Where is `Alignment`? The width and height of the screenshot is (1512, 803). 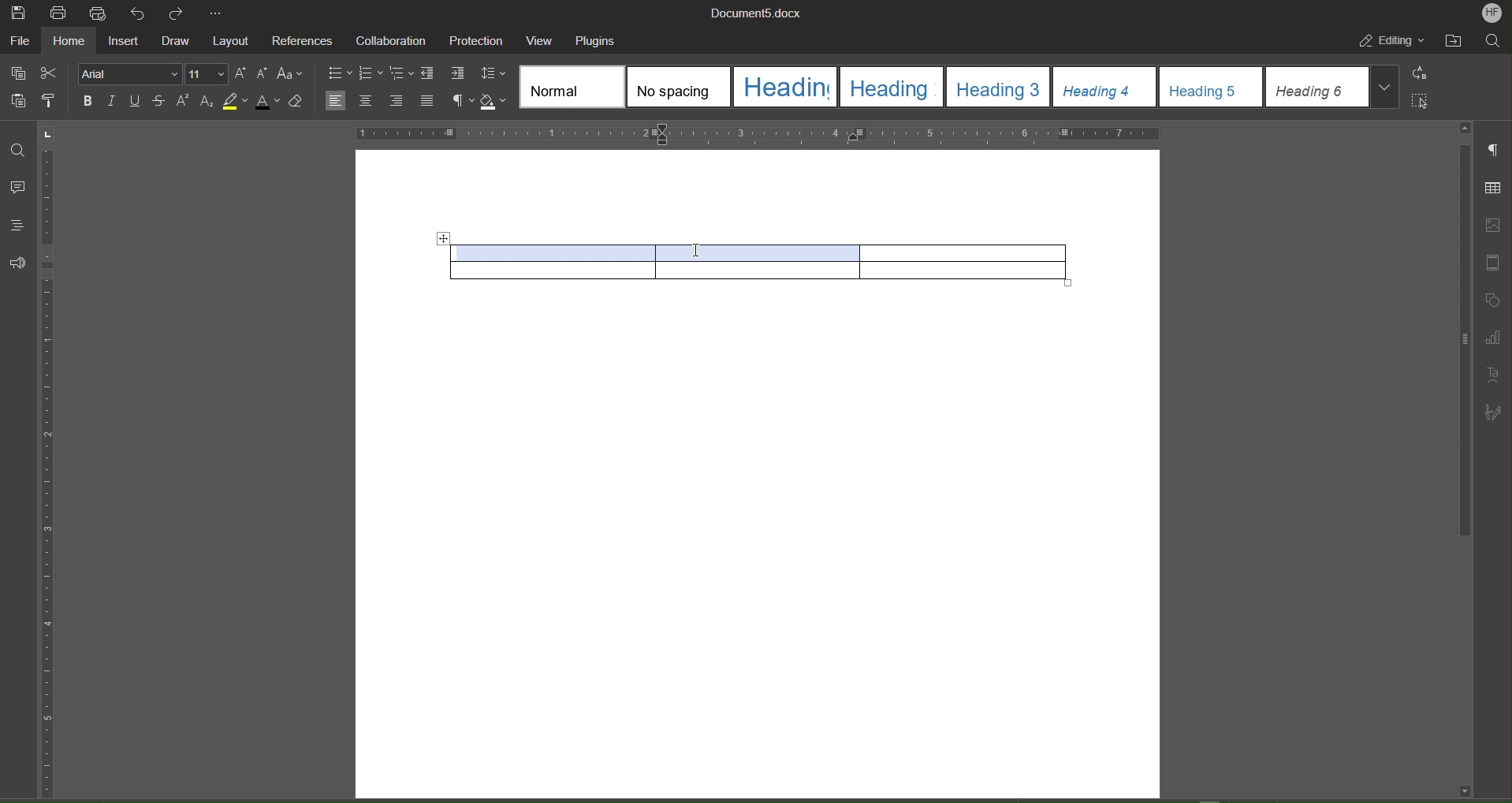 Alignment is located at coordinates (380, 101).